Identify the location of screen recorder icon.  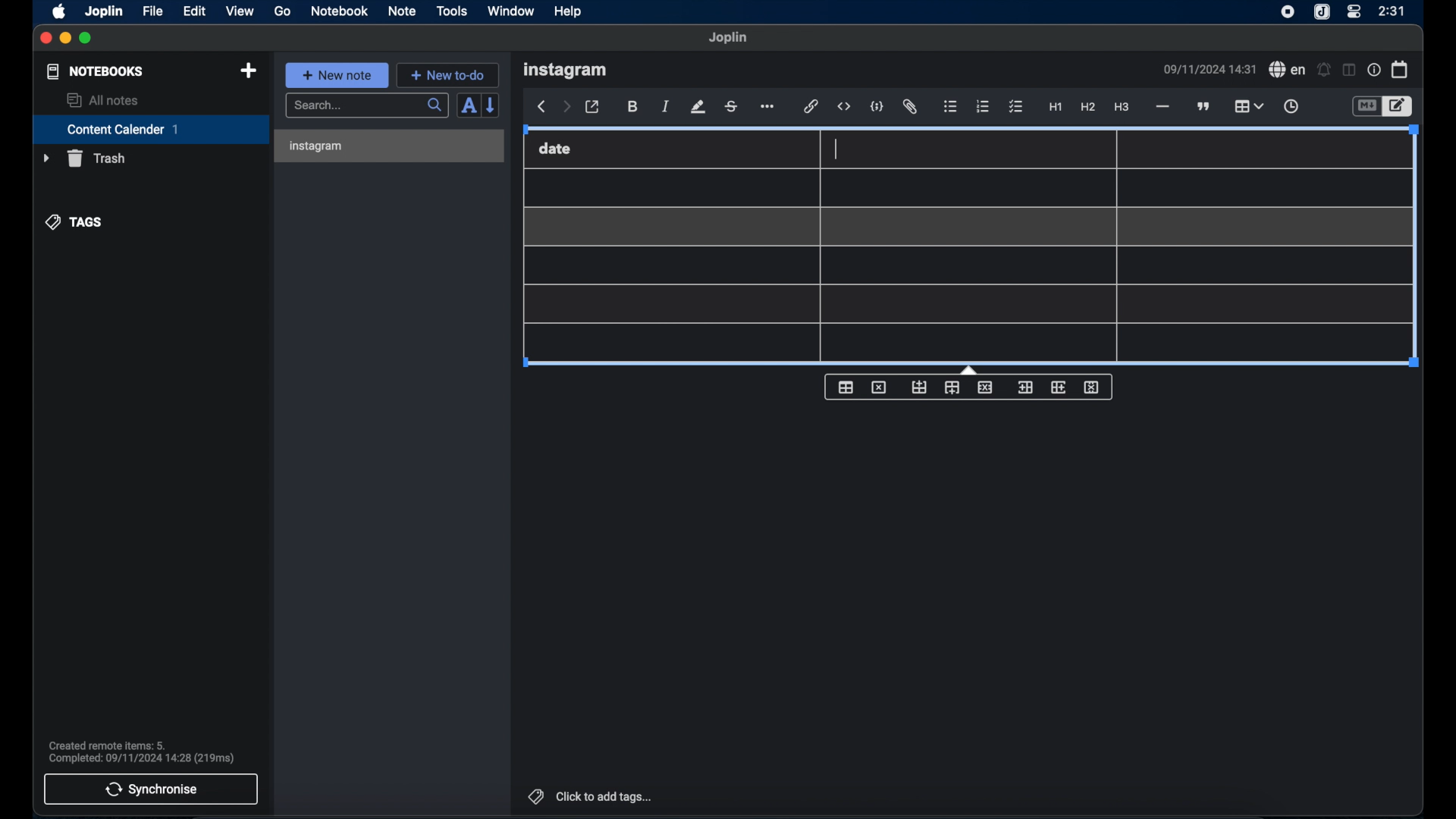
(1288, 13).